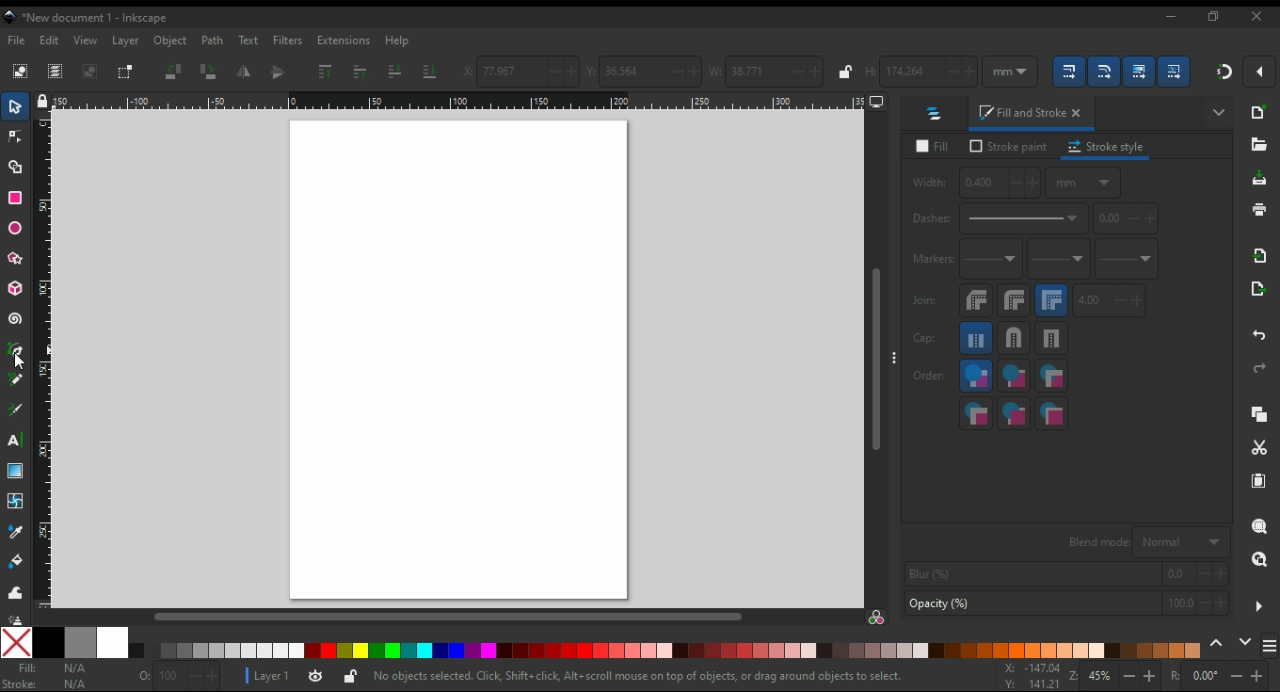 This screenshot has width=1280, height=692. What do you see at coordinates (288, 40) in the screenshot?
I see `filters` at bounding box center [288, 40].